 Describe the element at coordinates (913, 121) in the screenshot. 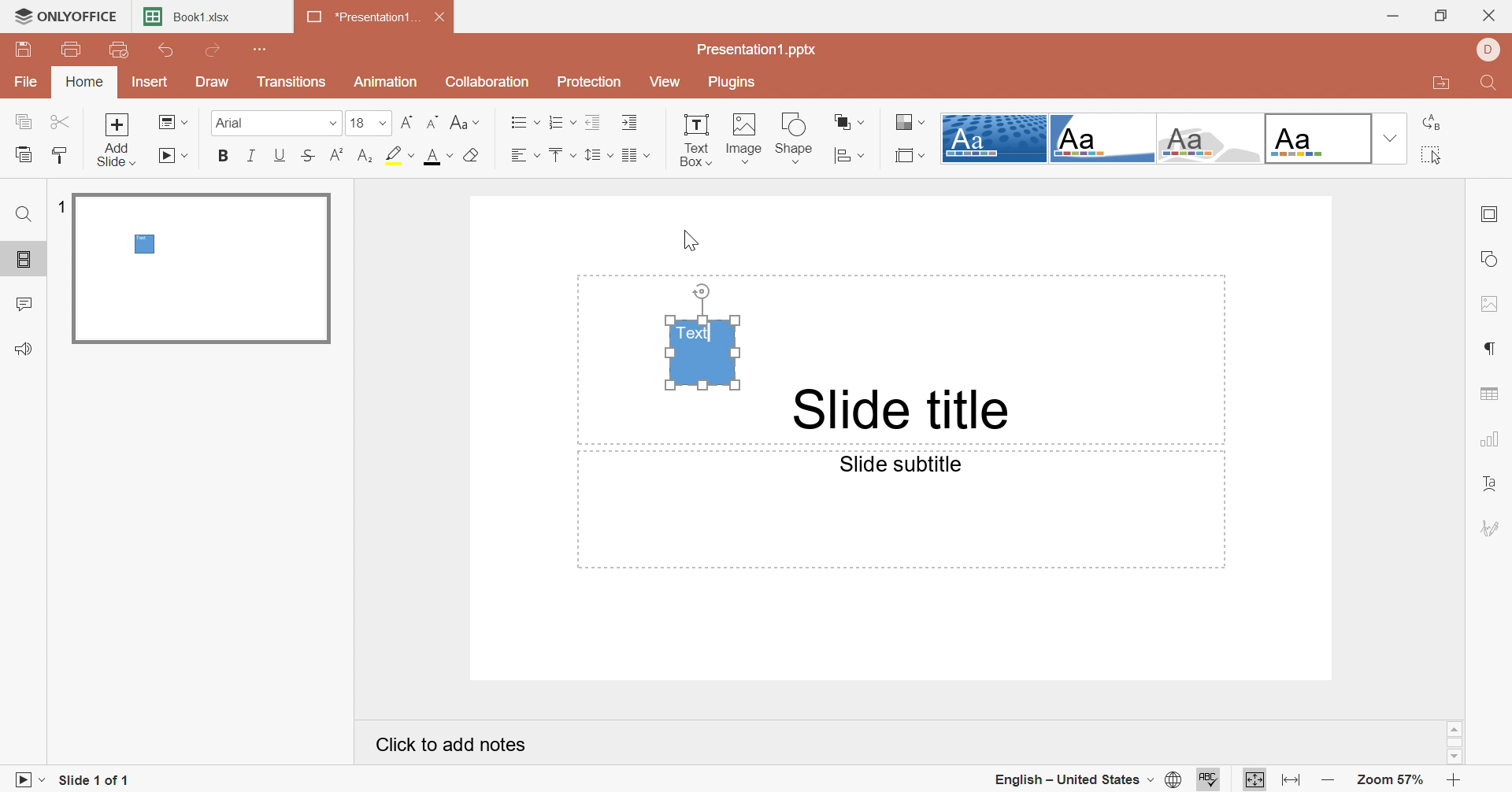

I see `Change color theme` at that location.